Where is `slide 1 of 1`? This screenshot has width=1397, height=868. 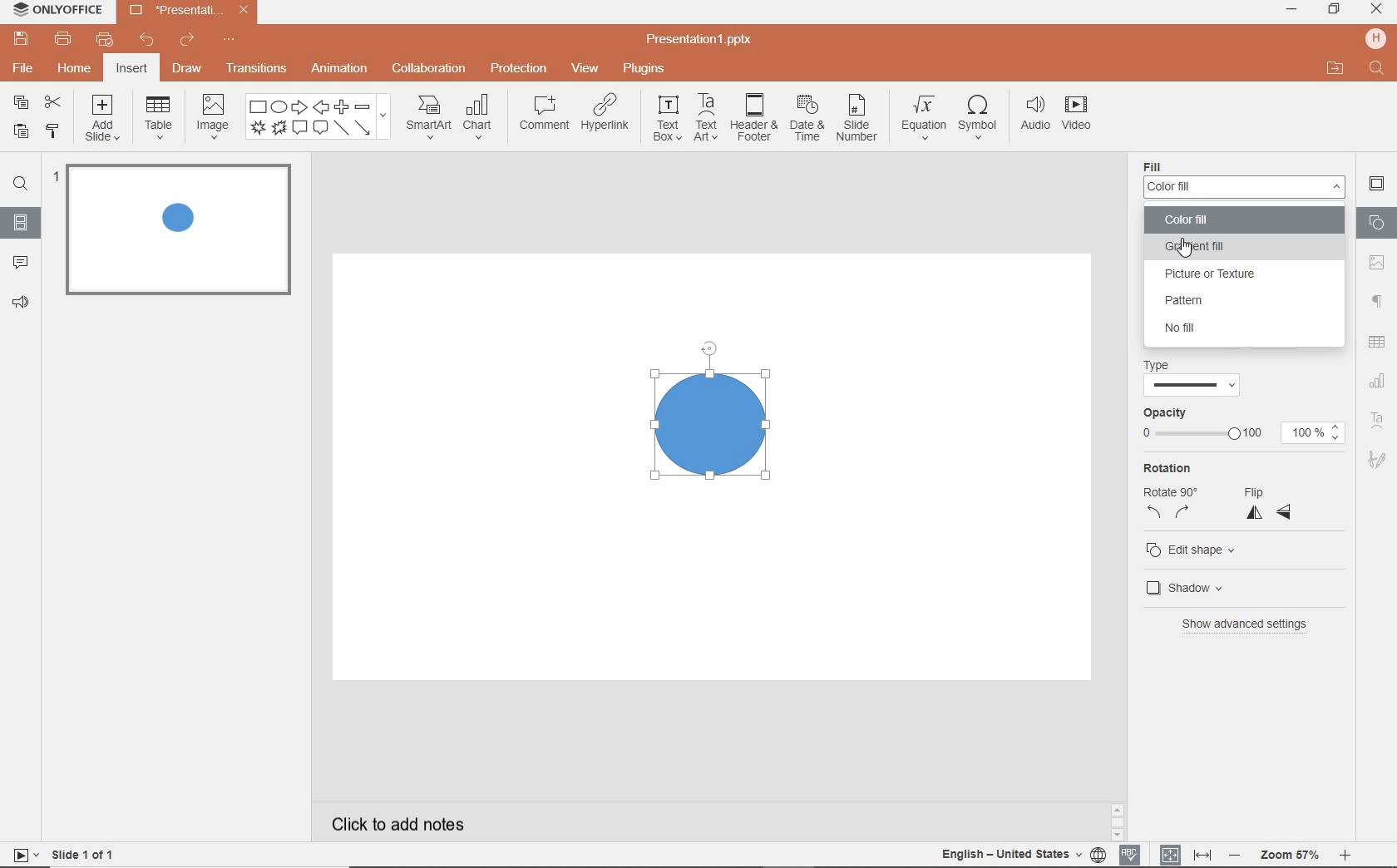
slide 1 of 1 is located at coordinates (84, 853).